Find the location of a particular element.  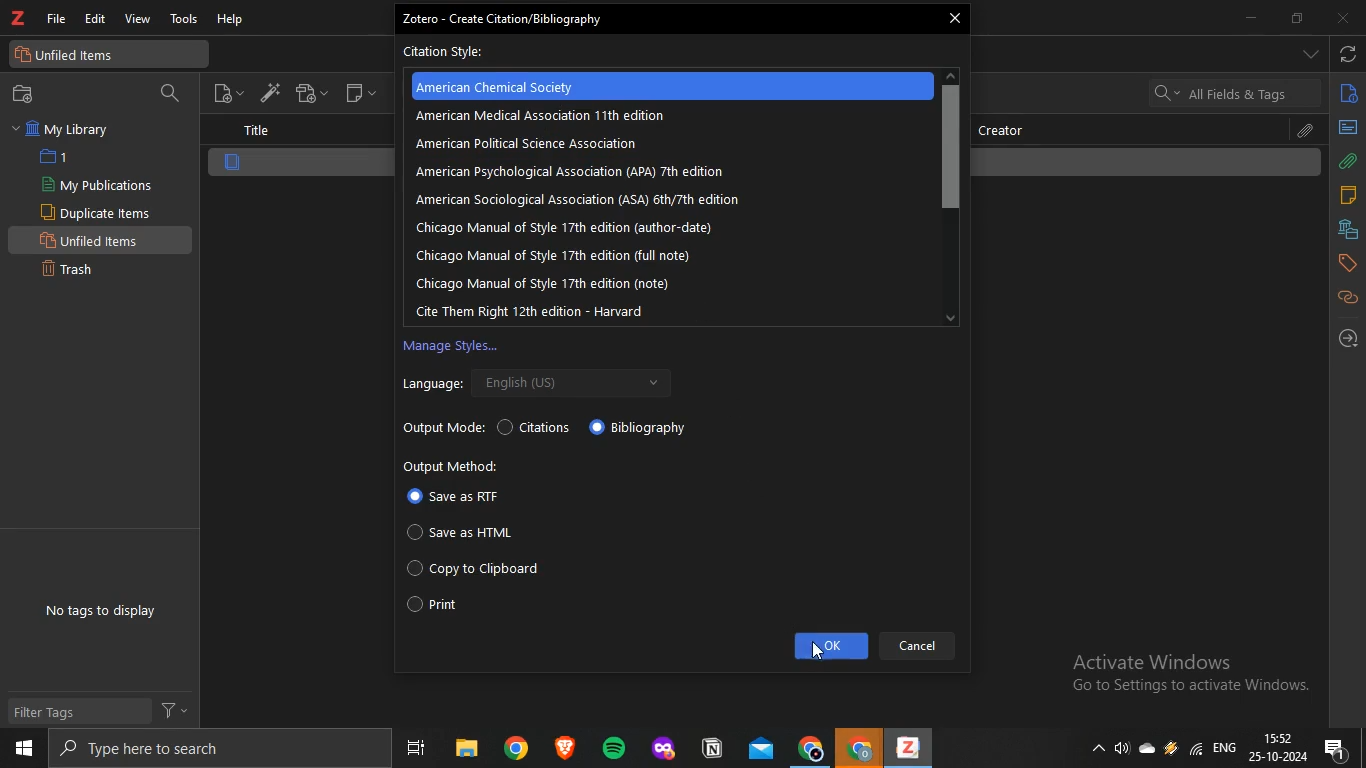

My Library is located at coordinates (64, 129).